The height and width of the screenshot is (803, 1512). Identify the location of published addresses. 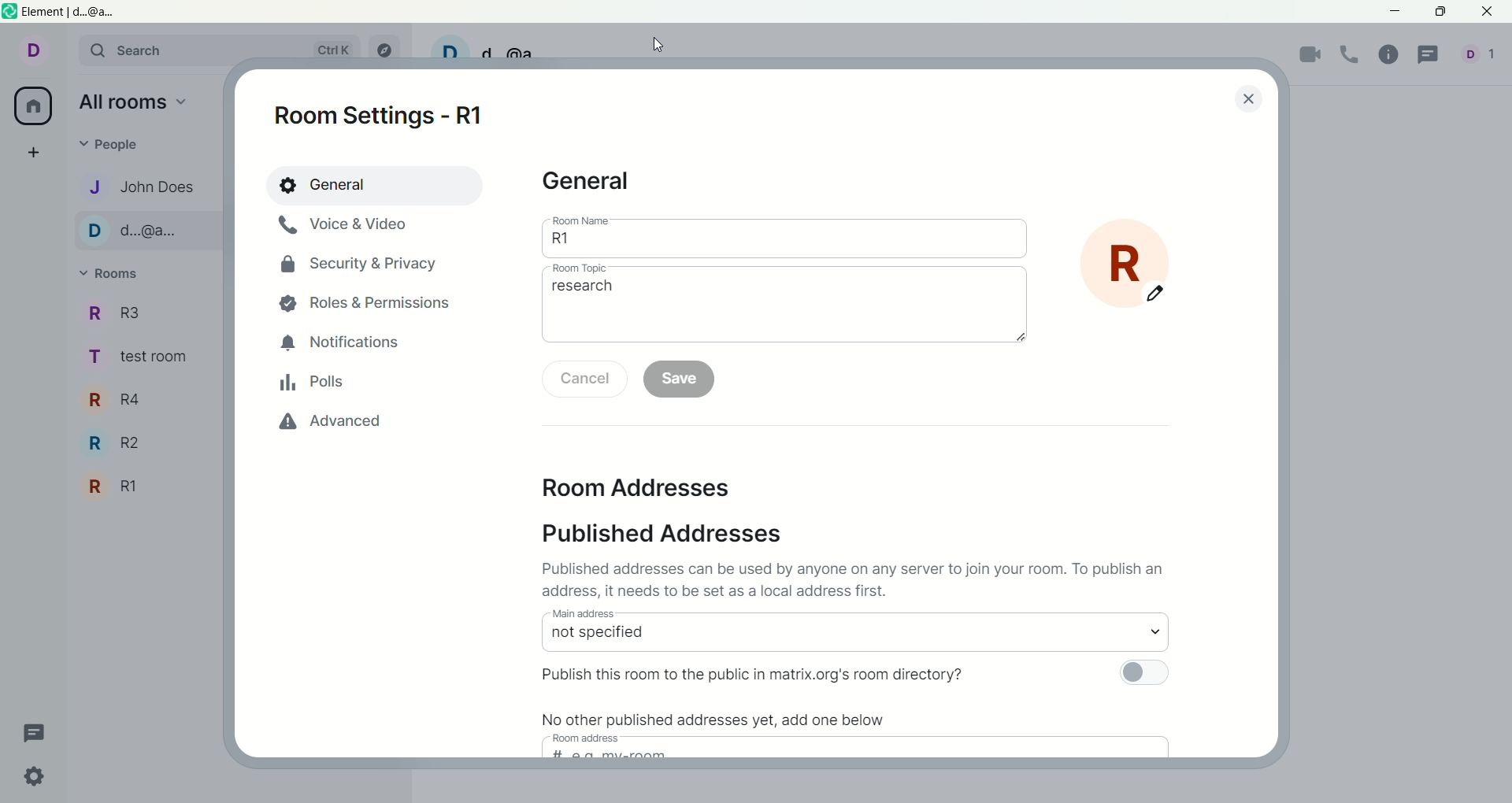
(663, 535).